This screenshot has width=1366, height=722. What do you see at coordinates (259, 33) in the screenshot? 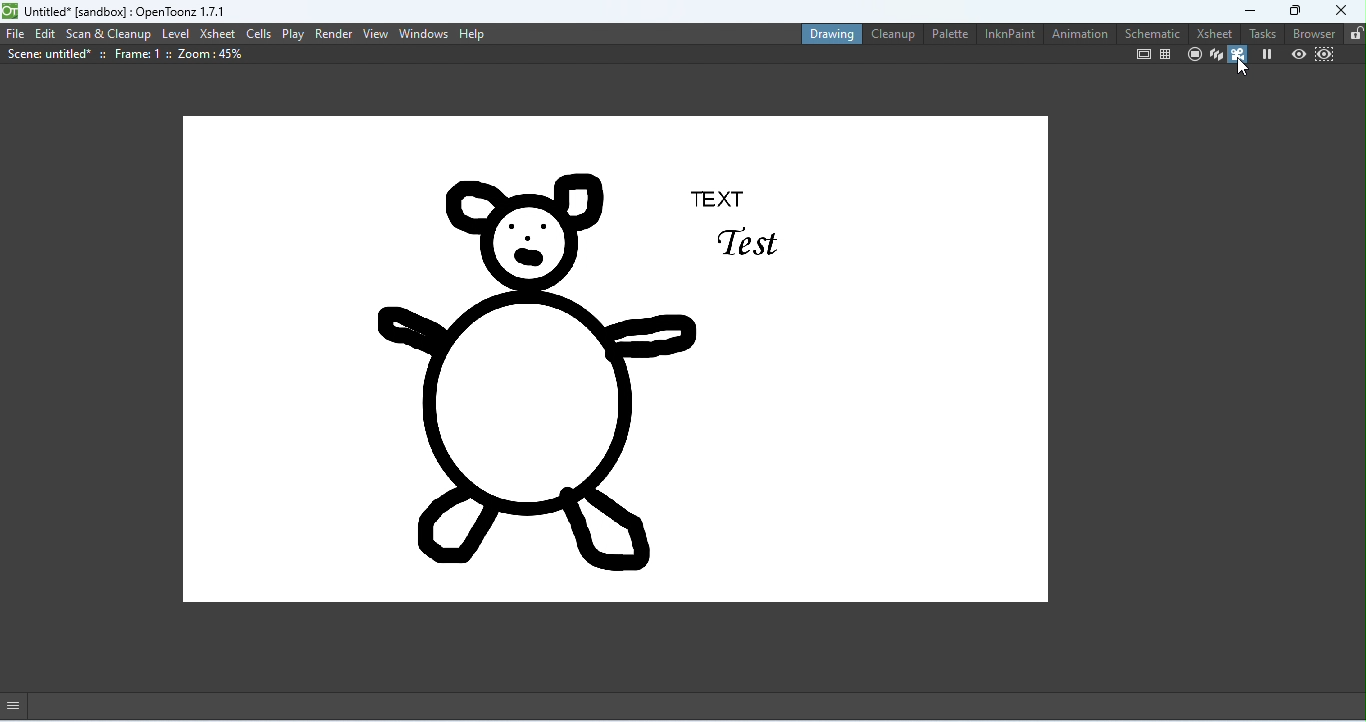
I see `cells` at bounding box center [259, 33].